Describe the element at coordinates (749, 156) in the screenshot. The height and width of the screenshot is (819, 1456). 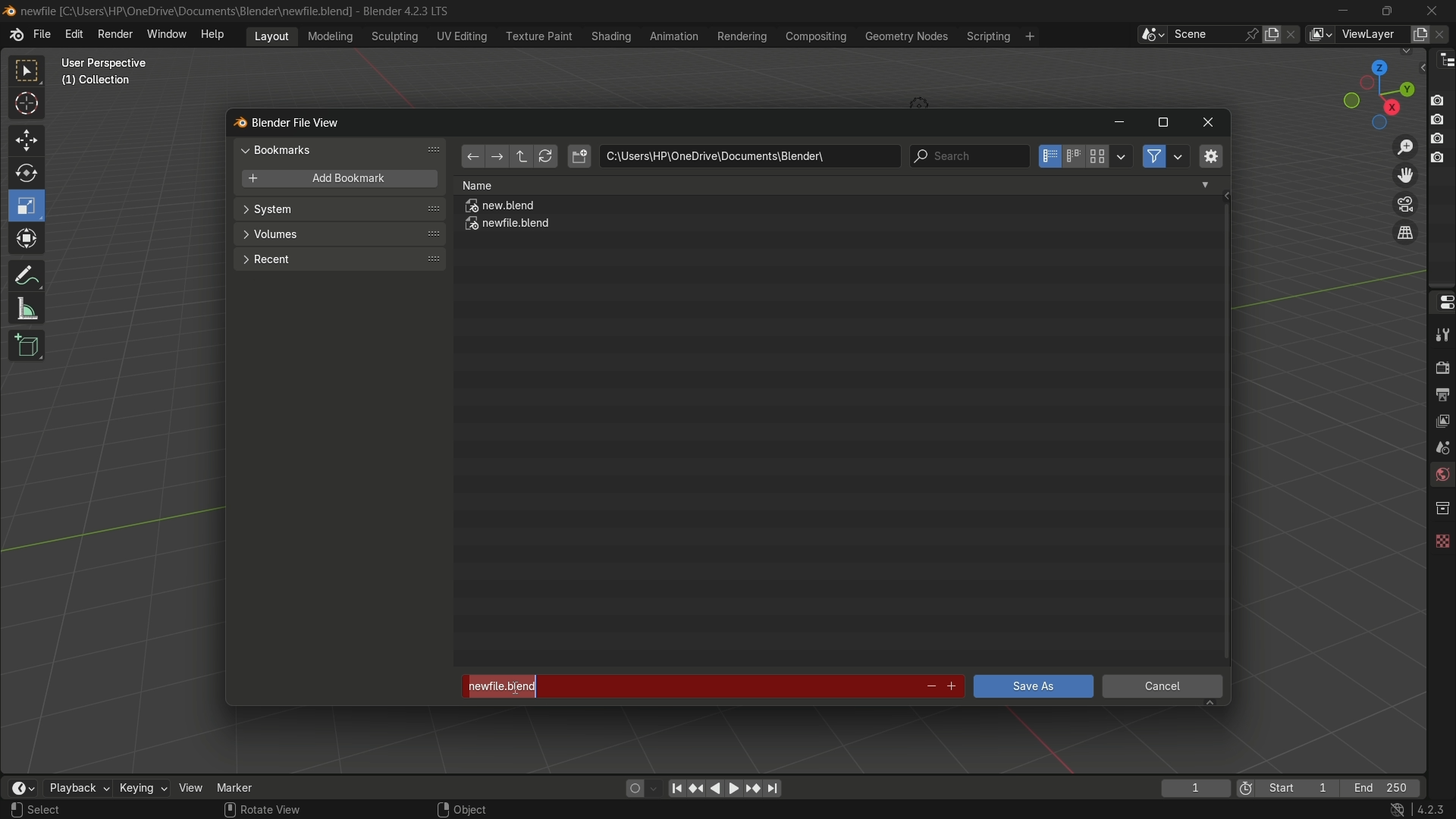
I see `location` at that location.